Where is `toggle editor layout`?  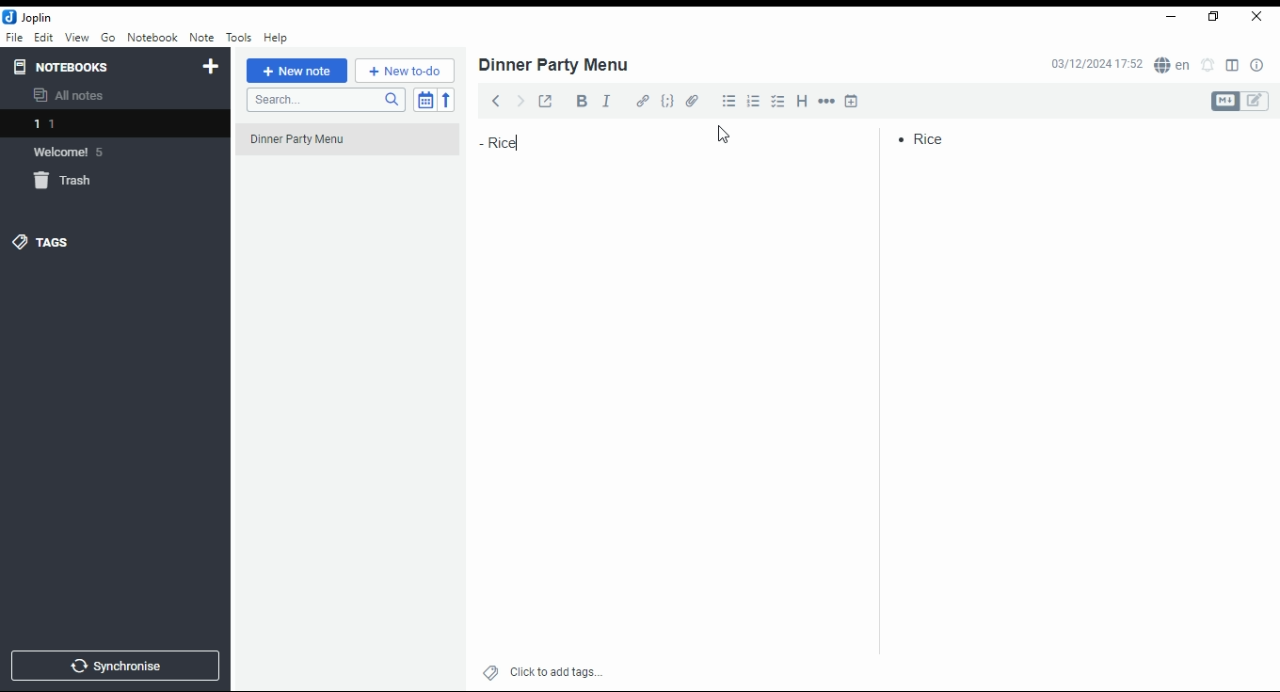 toggle editor layout is located at coordinates (1232, 66).